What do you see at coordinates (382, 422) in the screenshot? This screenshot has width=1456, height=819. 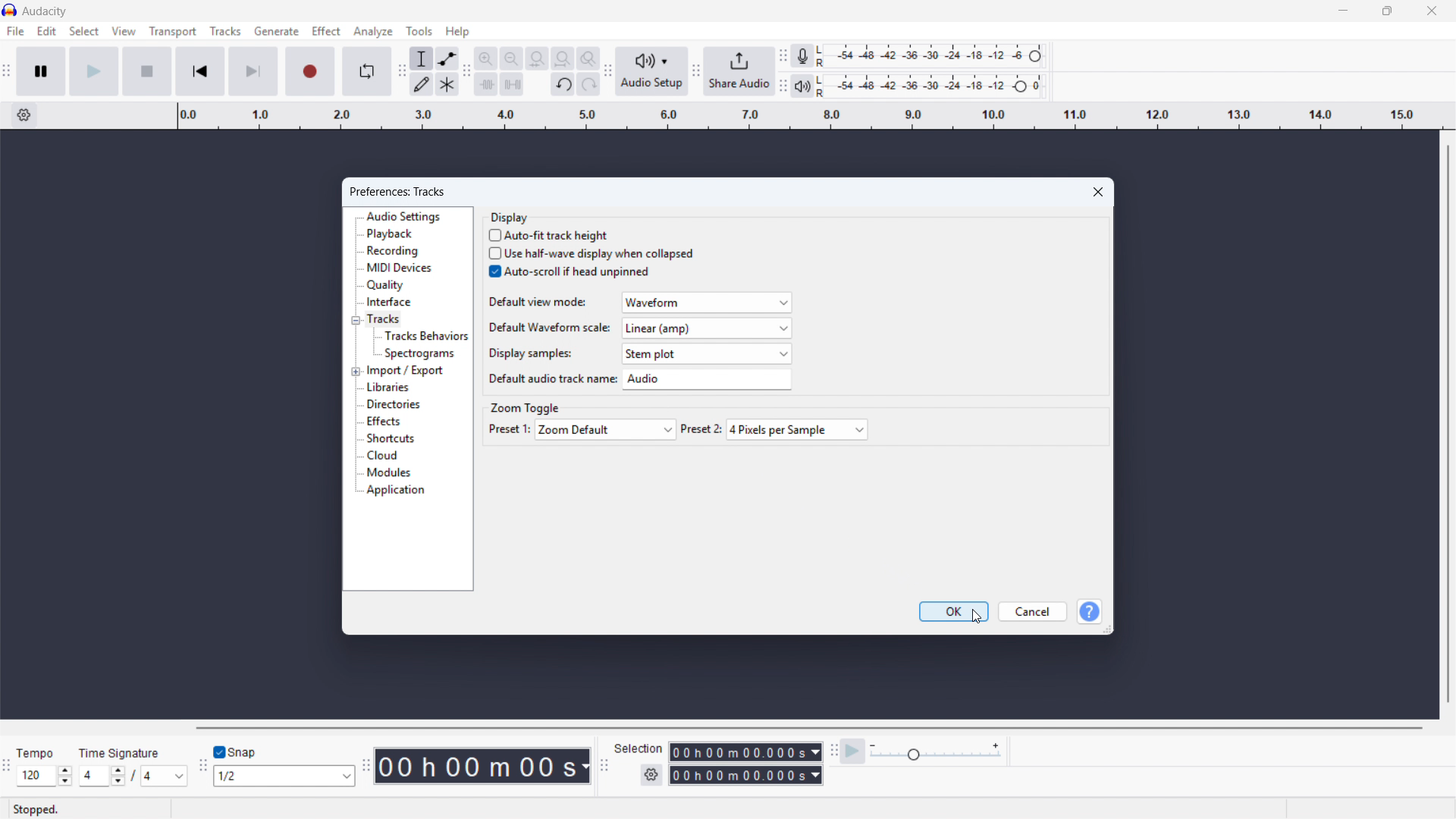 I see `effects` at bounding box center [382, 422].